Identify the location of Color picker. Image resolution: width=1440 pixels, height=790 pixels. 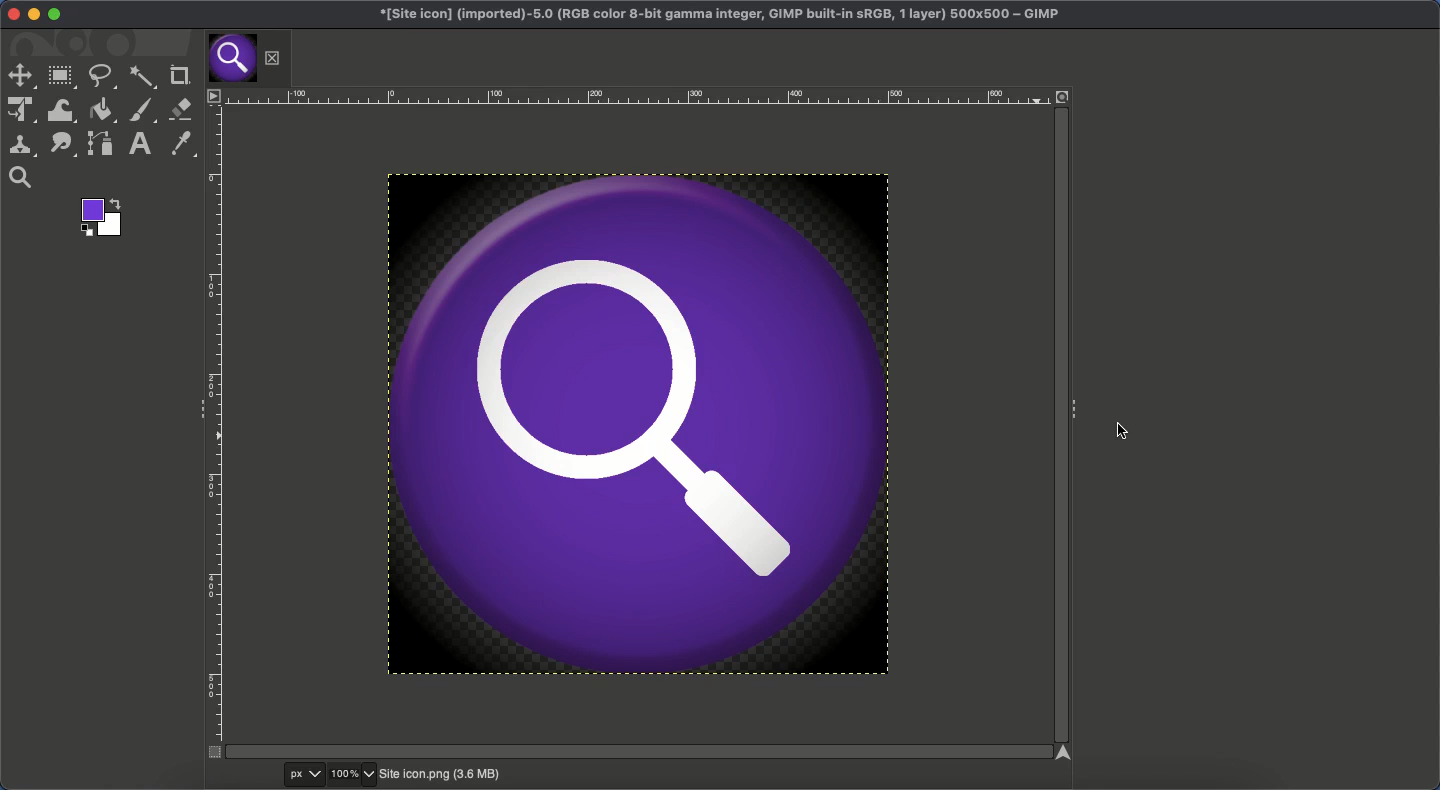
(179, 144).